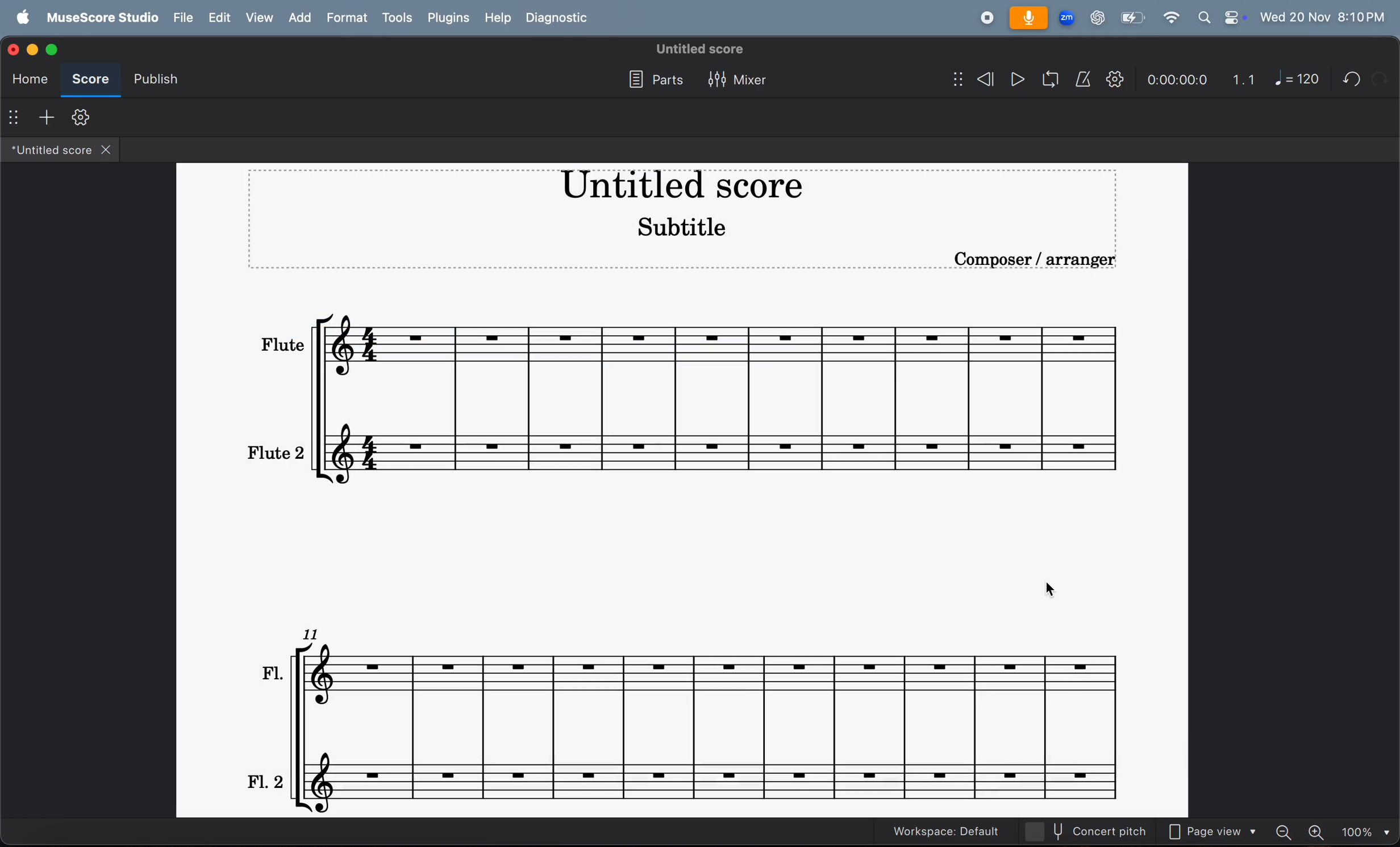 This screenshot has width=1400, height=847. I want to click on set zoom - 100%, so click(1364, 831).